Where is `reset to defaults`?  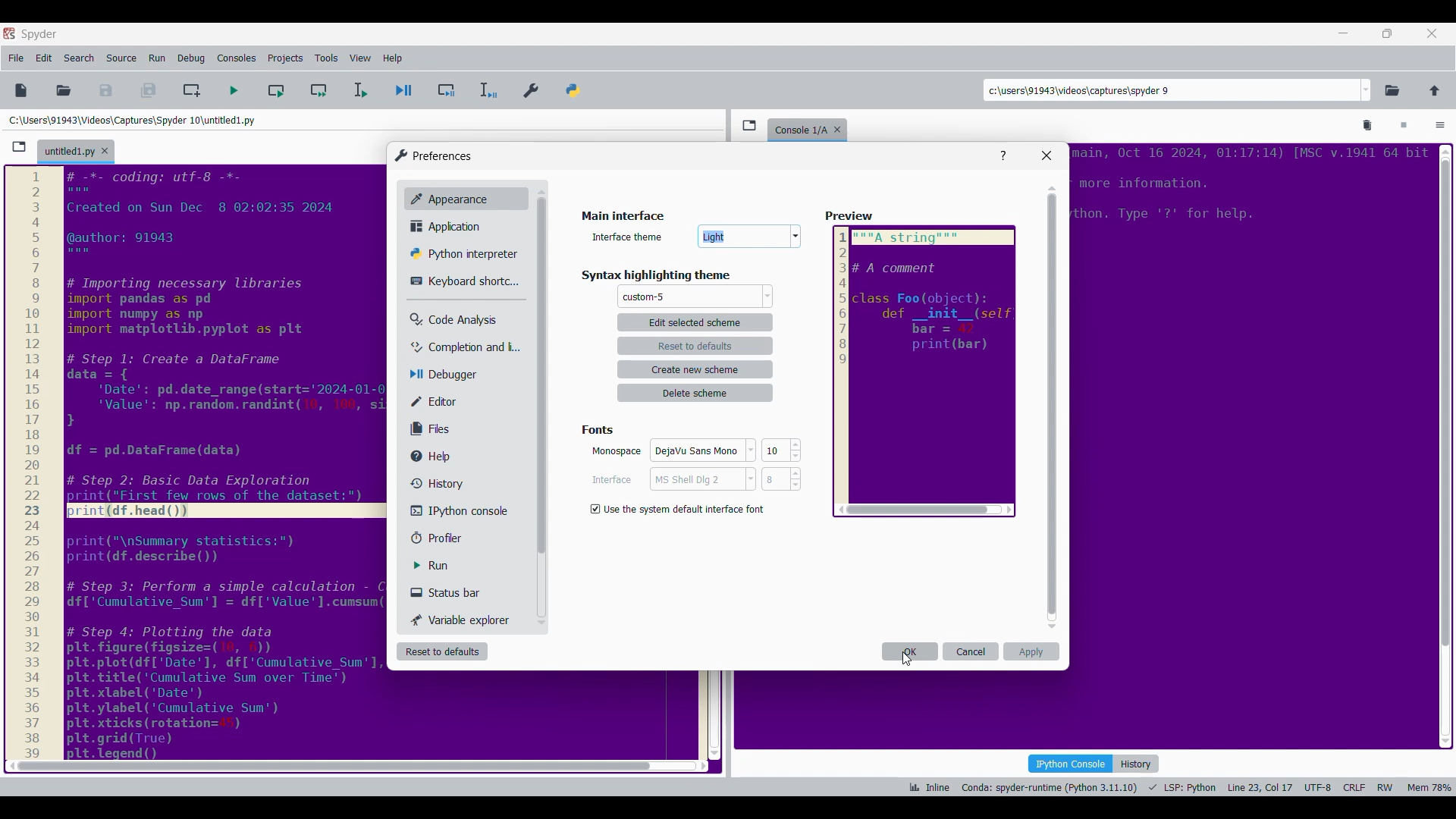
reset to defaults is located at coordinates (695, 345).